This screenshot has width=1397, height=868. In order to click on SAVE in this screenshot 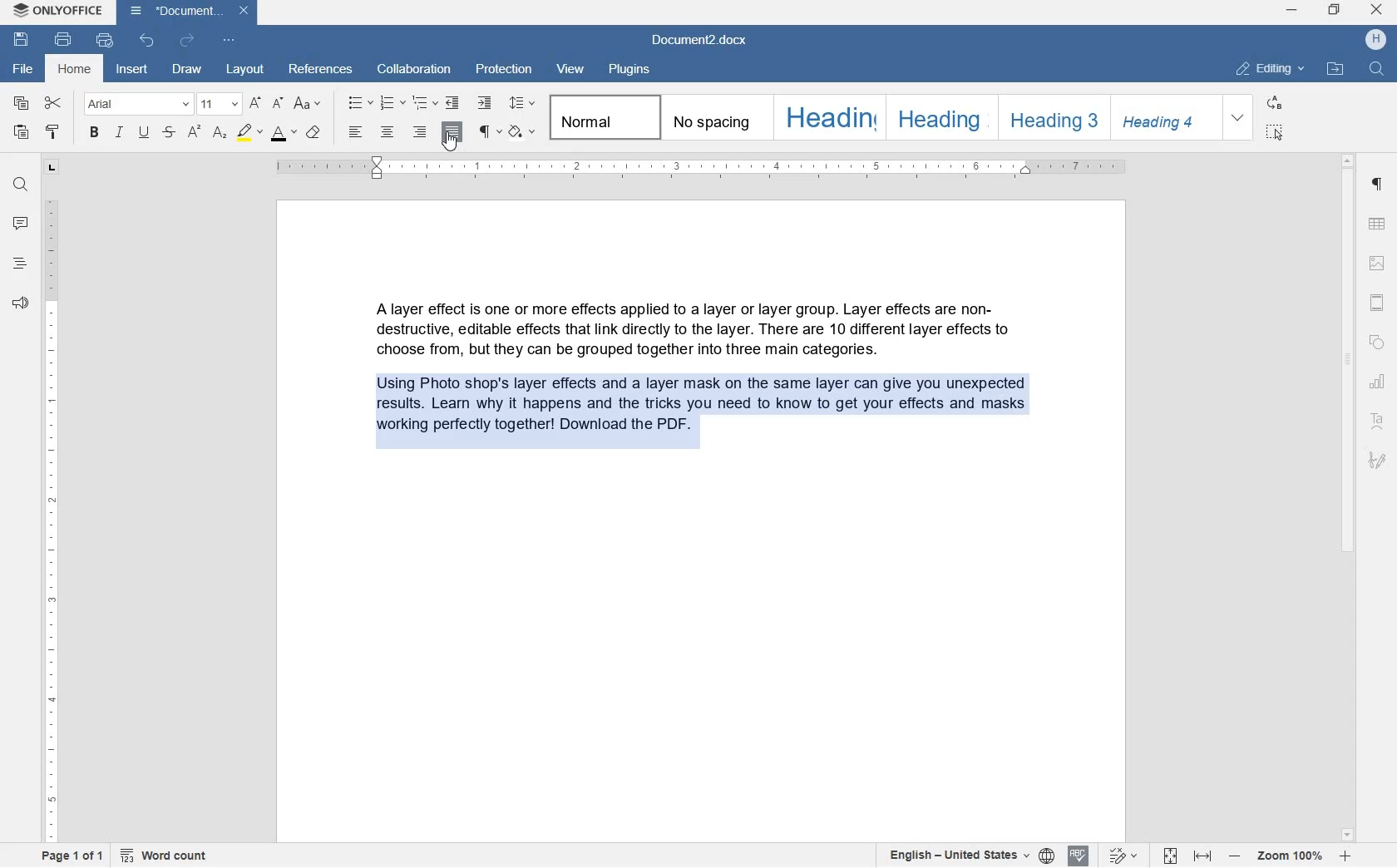, I will do `click(23, 42)`.